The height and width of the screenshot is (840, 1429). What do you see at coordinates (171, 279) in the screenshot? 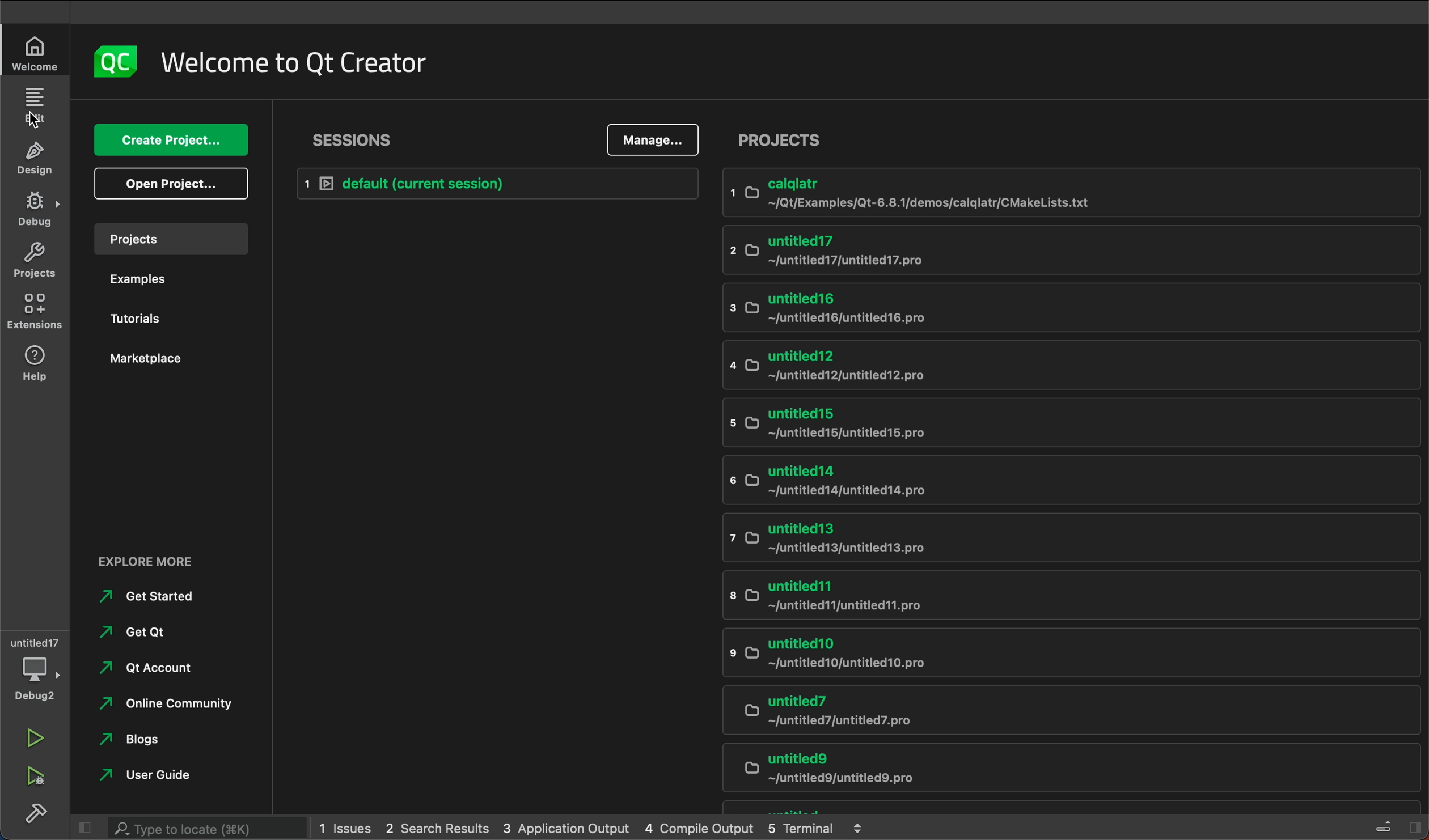
I see `examples` at bounding box center [171, 279].